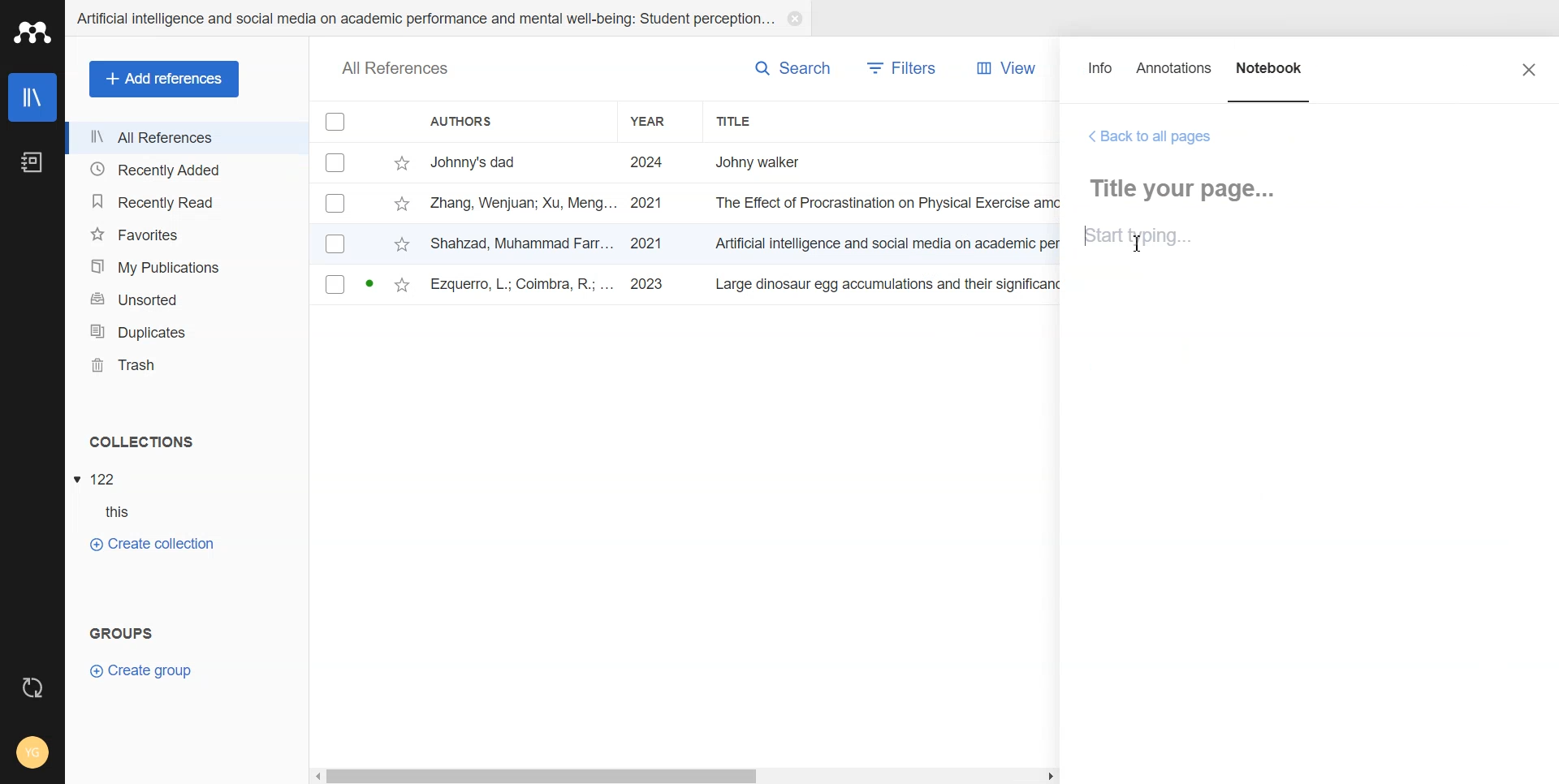  Describe the element at coordinates (1190, 188) in the screenshot. I see `Title your page` at that location.